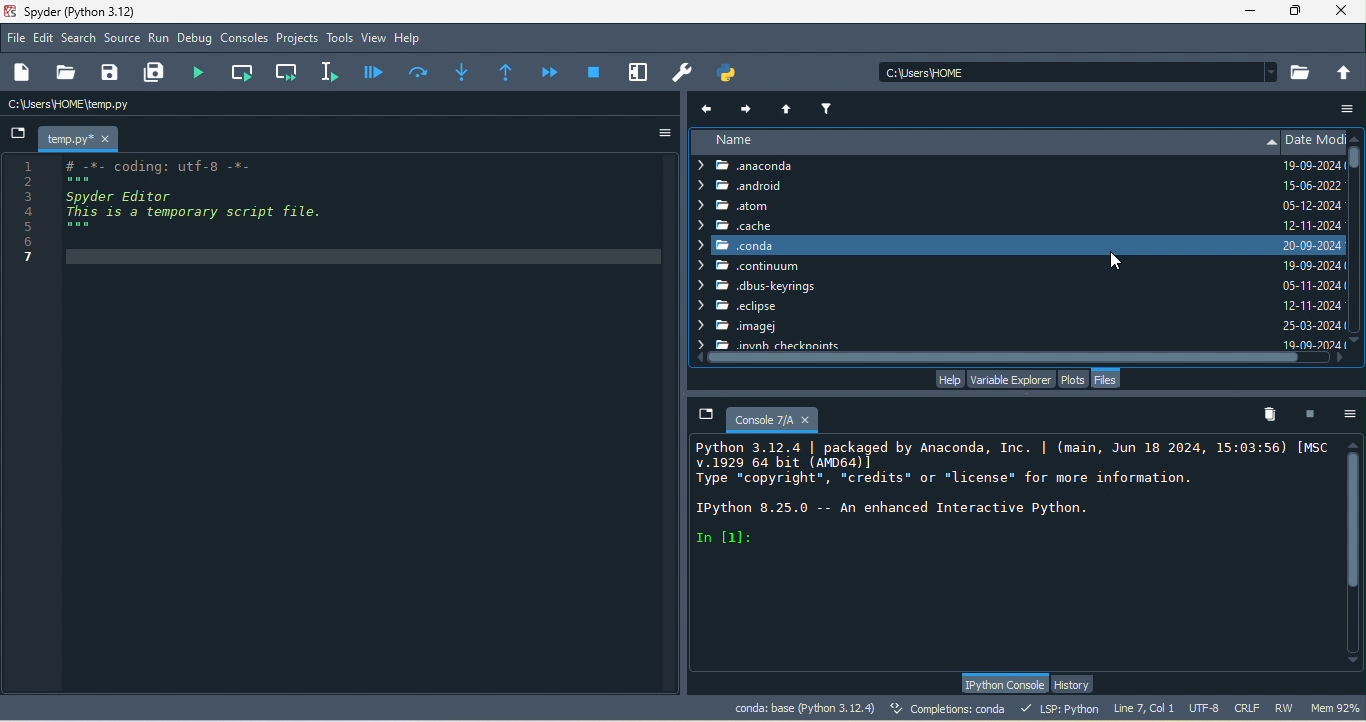 This screenshot has width=1366, height=722. What do you see at coordinates (1302, 72) in the screenshot?
I see `browse` at bounding box center [1302, 72].